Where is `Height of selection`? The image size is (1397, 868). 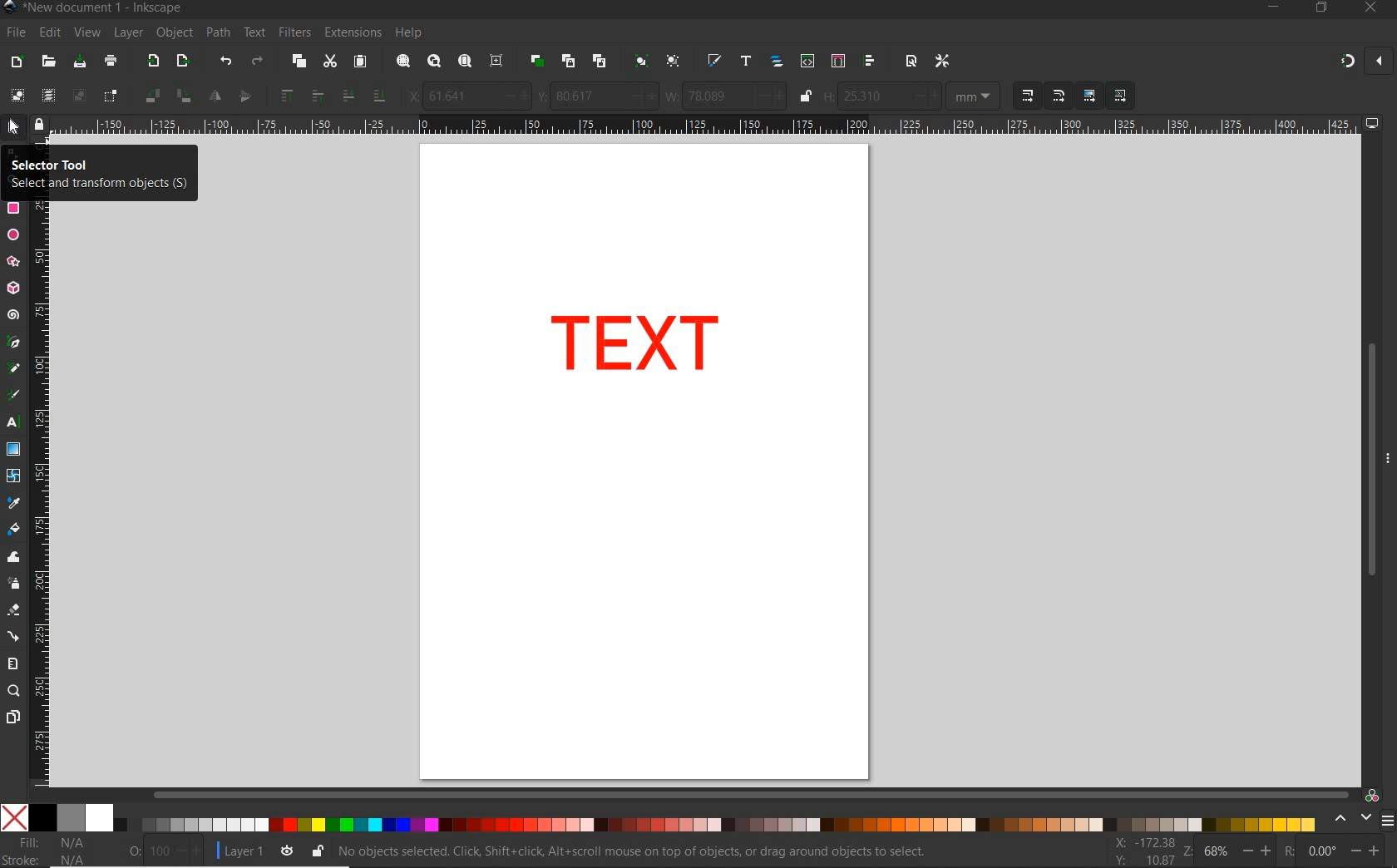
Height of selection is located at coordinates (881, 96).